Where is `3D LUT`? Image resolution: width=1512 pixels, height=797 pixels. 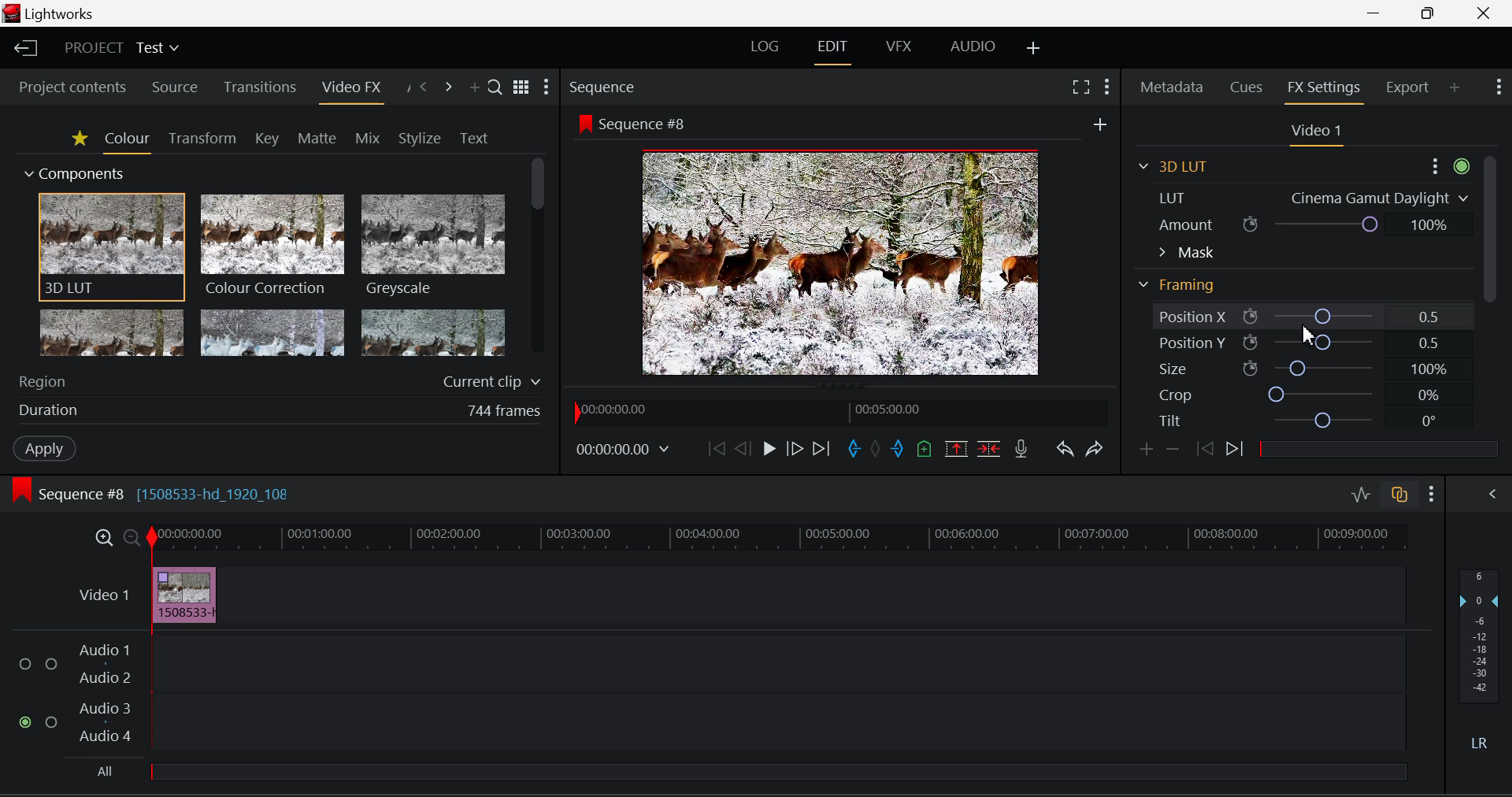 3D LUT is located at coordinates (109, 247).